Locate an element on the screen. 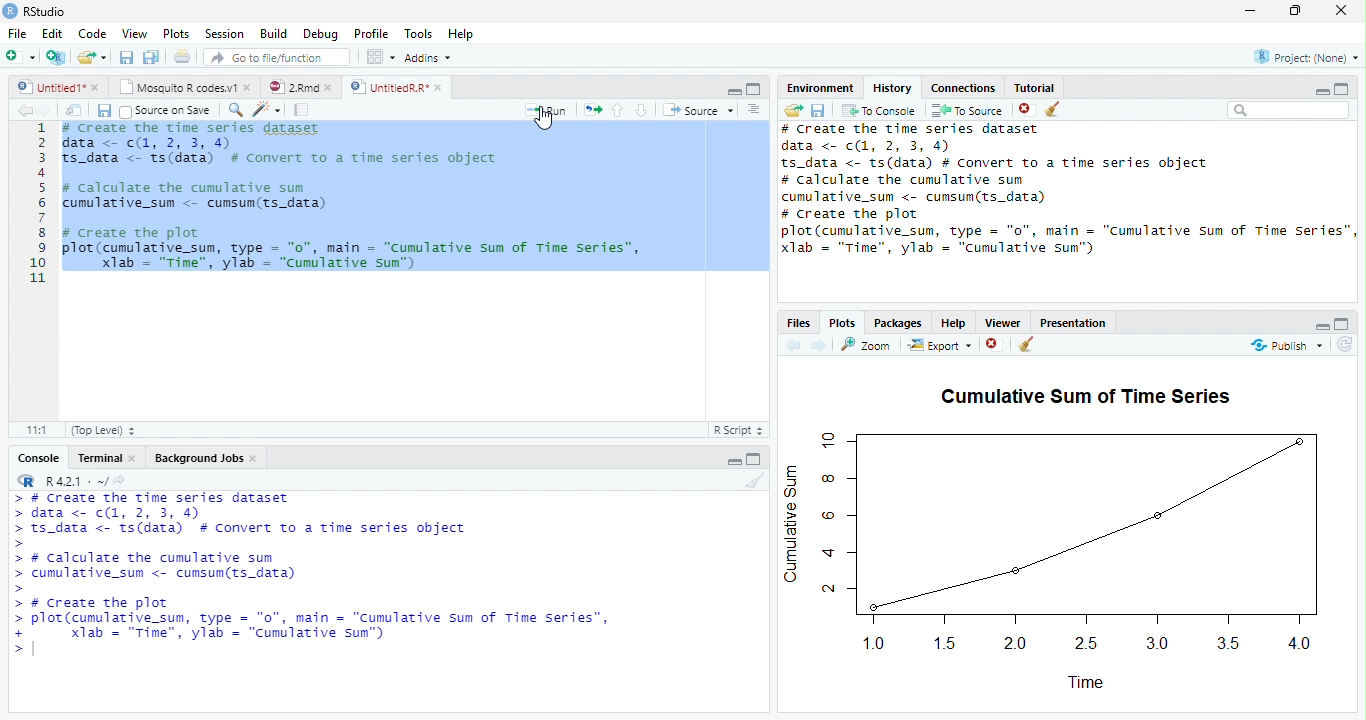  History is located at coordinates (890, 88).